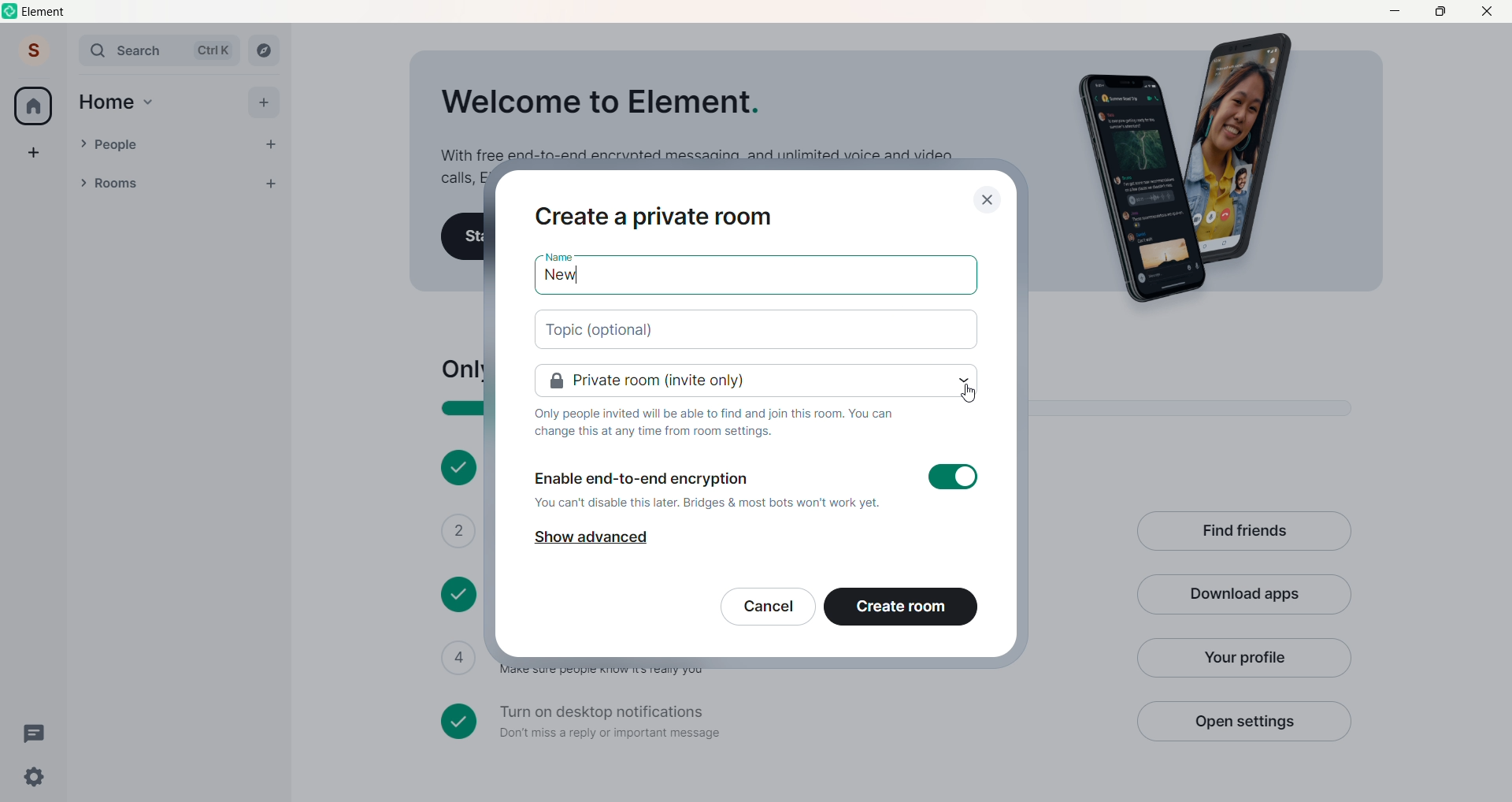  I want to click on Maximize, so click(1440, 10).